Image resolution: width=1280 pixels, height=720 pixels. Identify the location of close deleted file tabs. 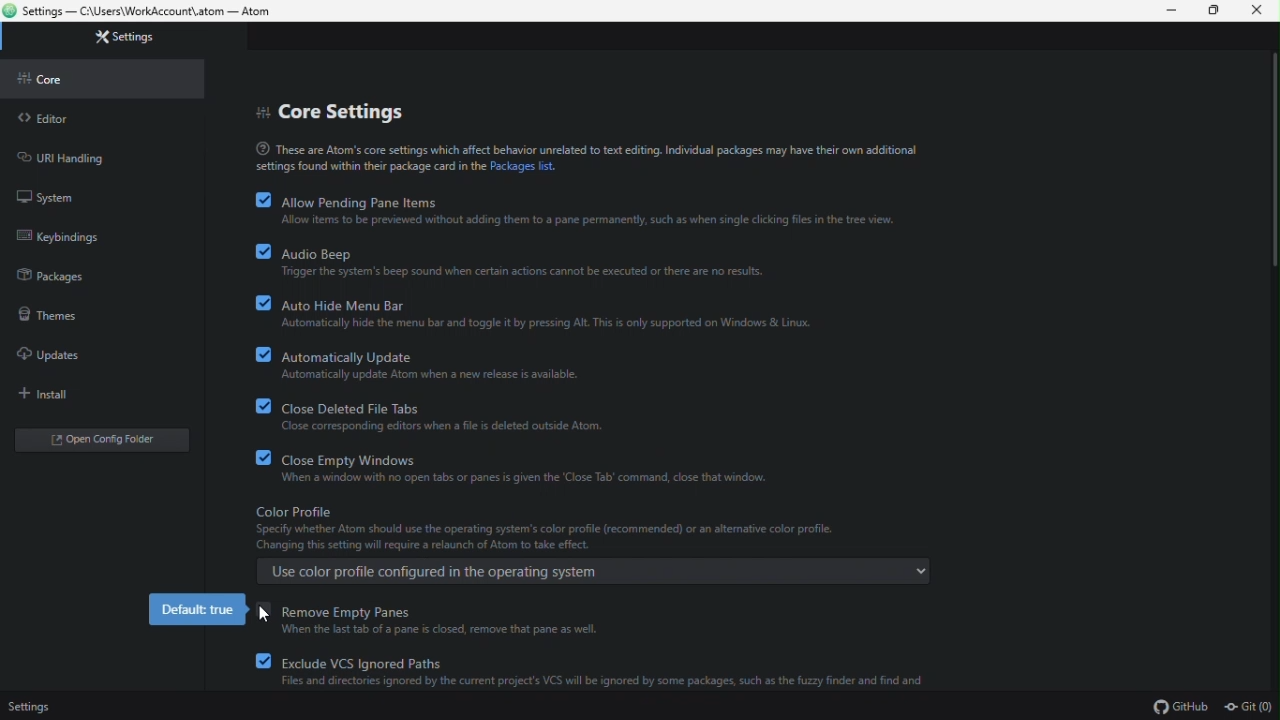
(448, 415).